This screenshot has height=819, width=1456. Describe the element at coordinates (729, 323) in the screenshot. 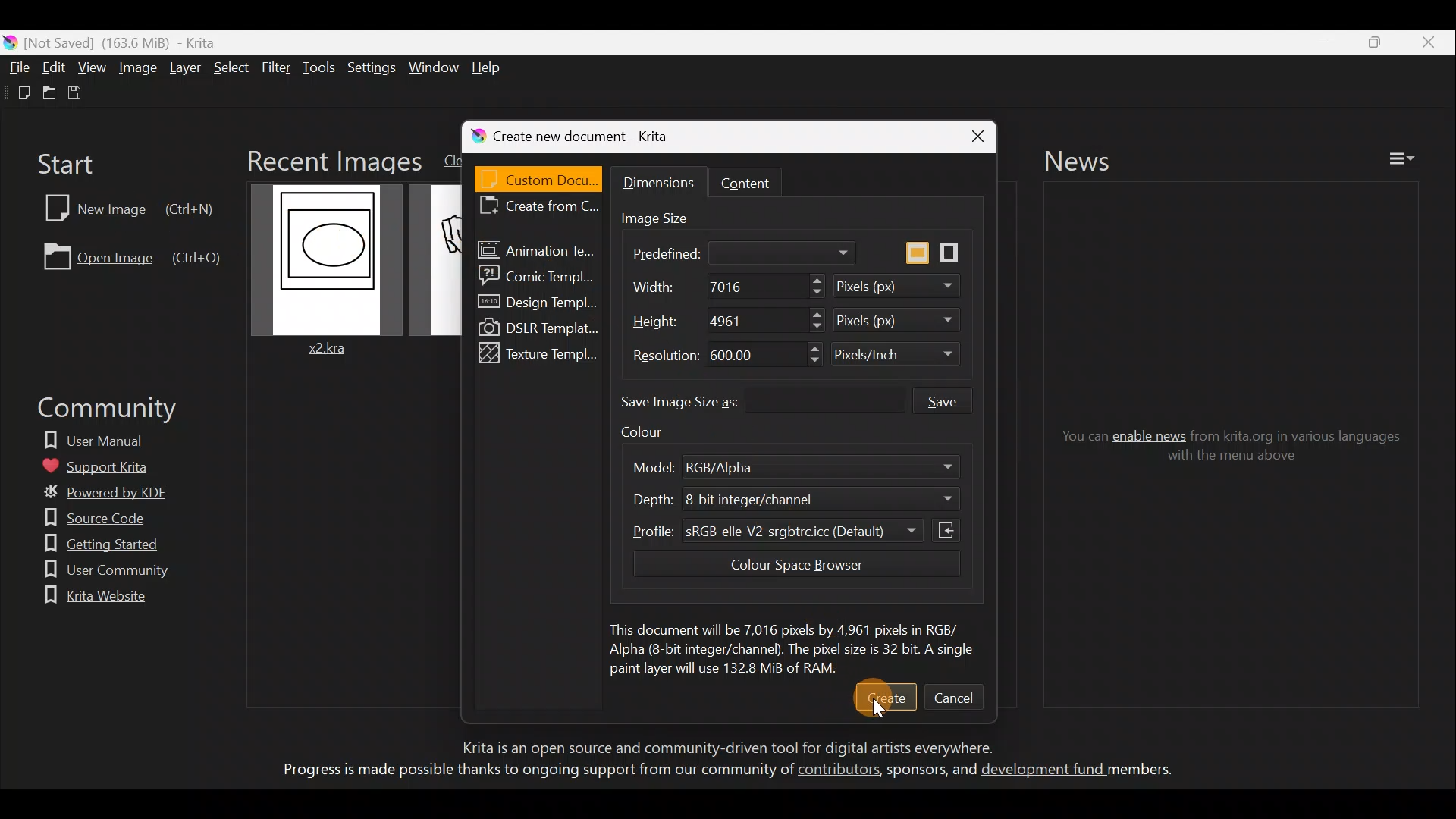

I see ` 4961` at that location.